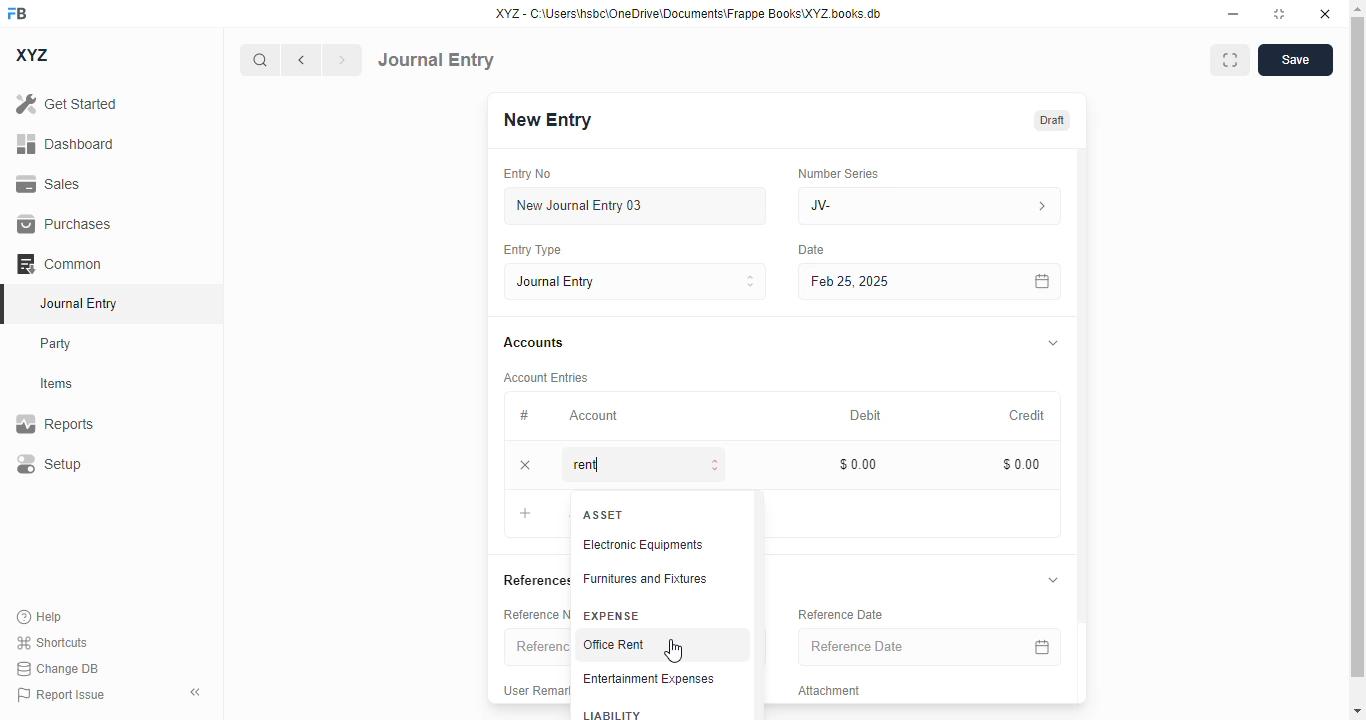 The height and width of the screenshot is (720, 1366). What do you see at coordinates (544, 377) in the screenshot?
I see `account entries` at bounding box center [544, 377].